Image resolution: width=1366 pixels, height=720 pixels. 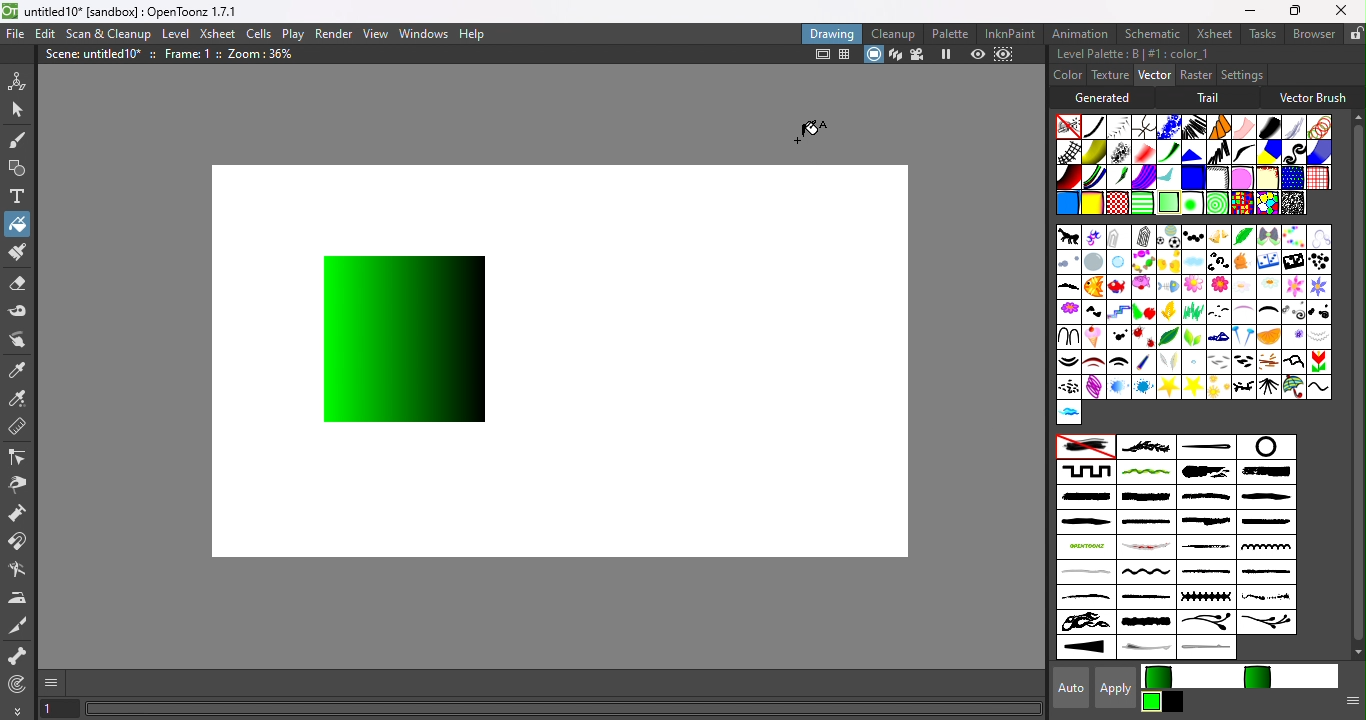 What do you see at coordinates (17, 108) in the screenshot?
I see `Selection tool` at bounding box center [17, 108].